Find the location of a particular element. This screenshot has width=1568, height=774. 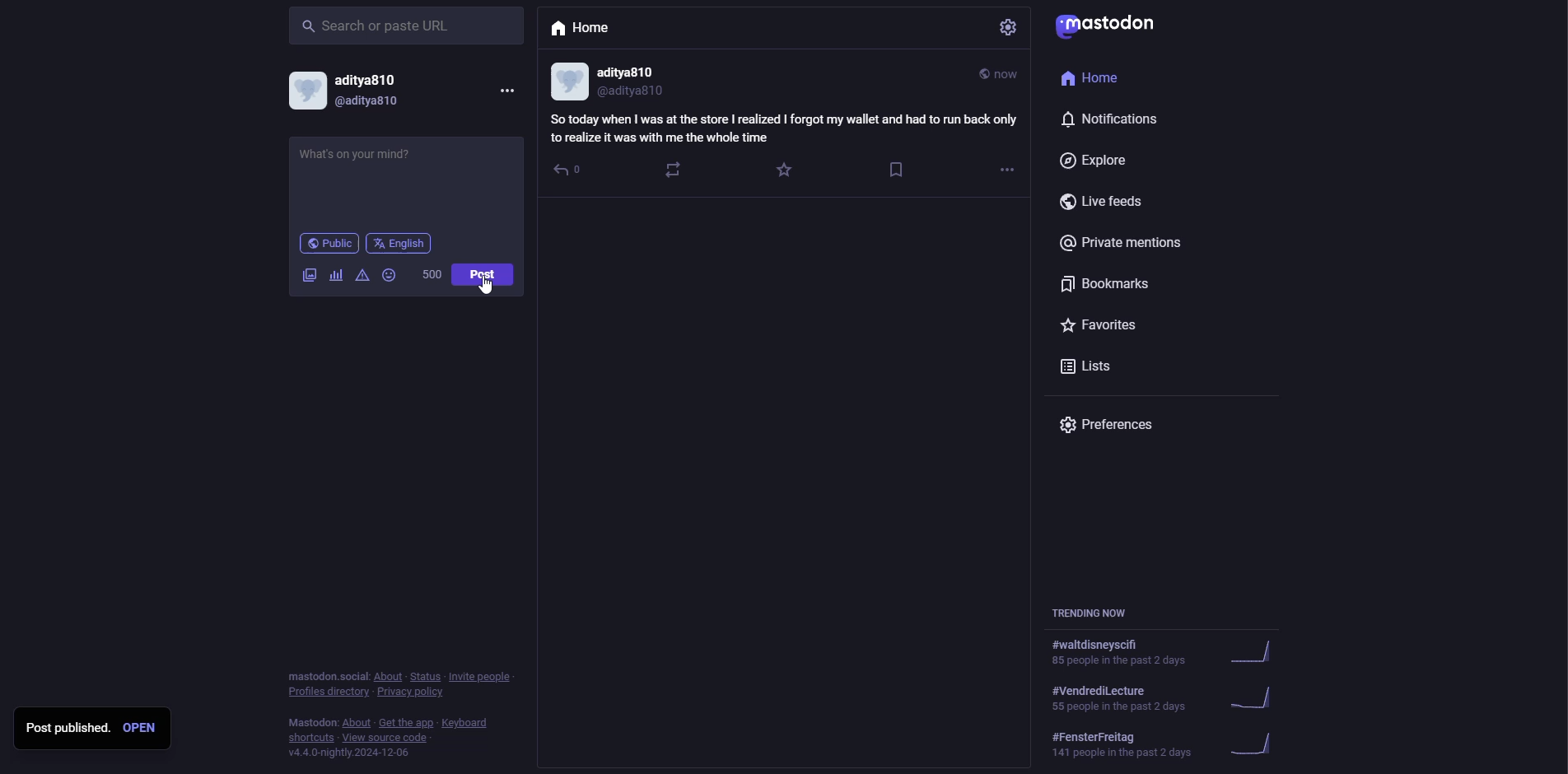

information is located at coordinates (403, 716).